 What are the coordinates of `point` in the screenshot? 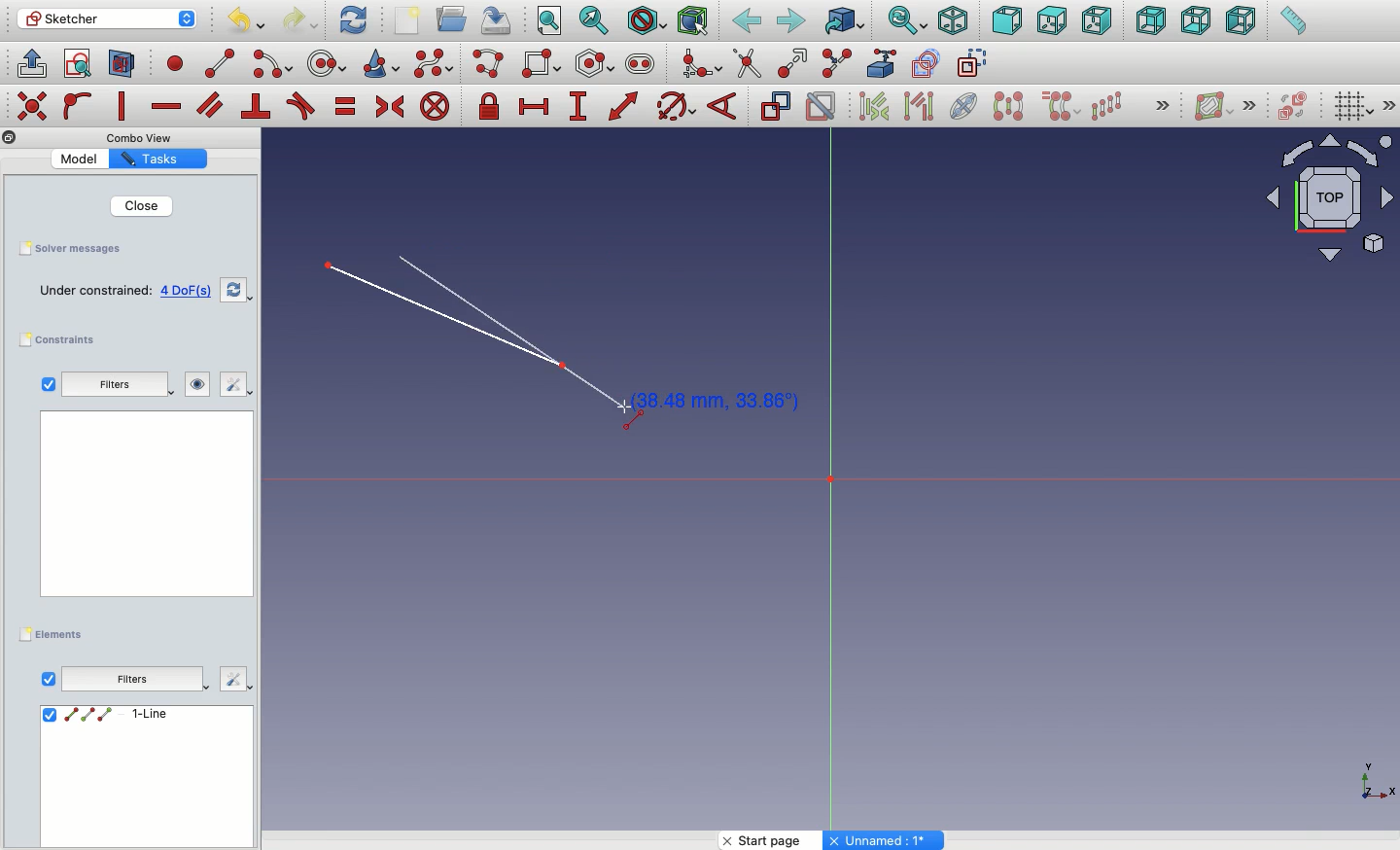 It's located at (177, 66).